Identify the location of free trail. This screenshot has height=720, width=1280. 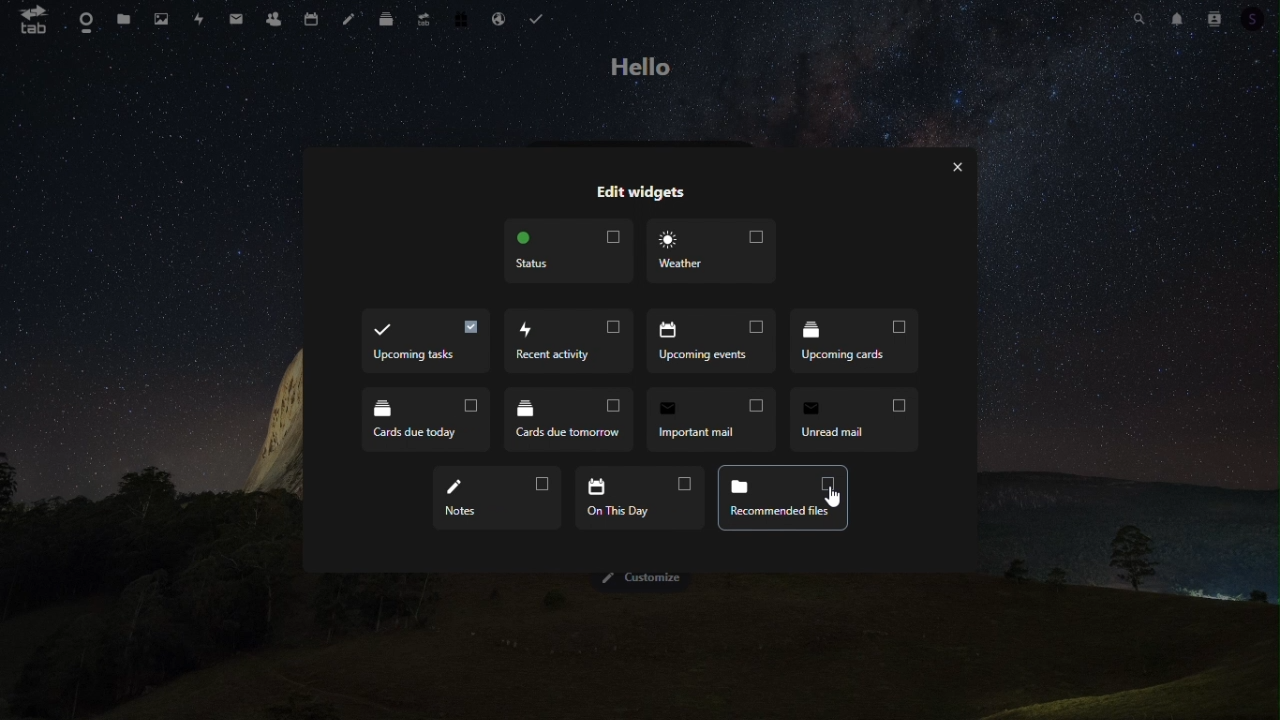
(457, 17).